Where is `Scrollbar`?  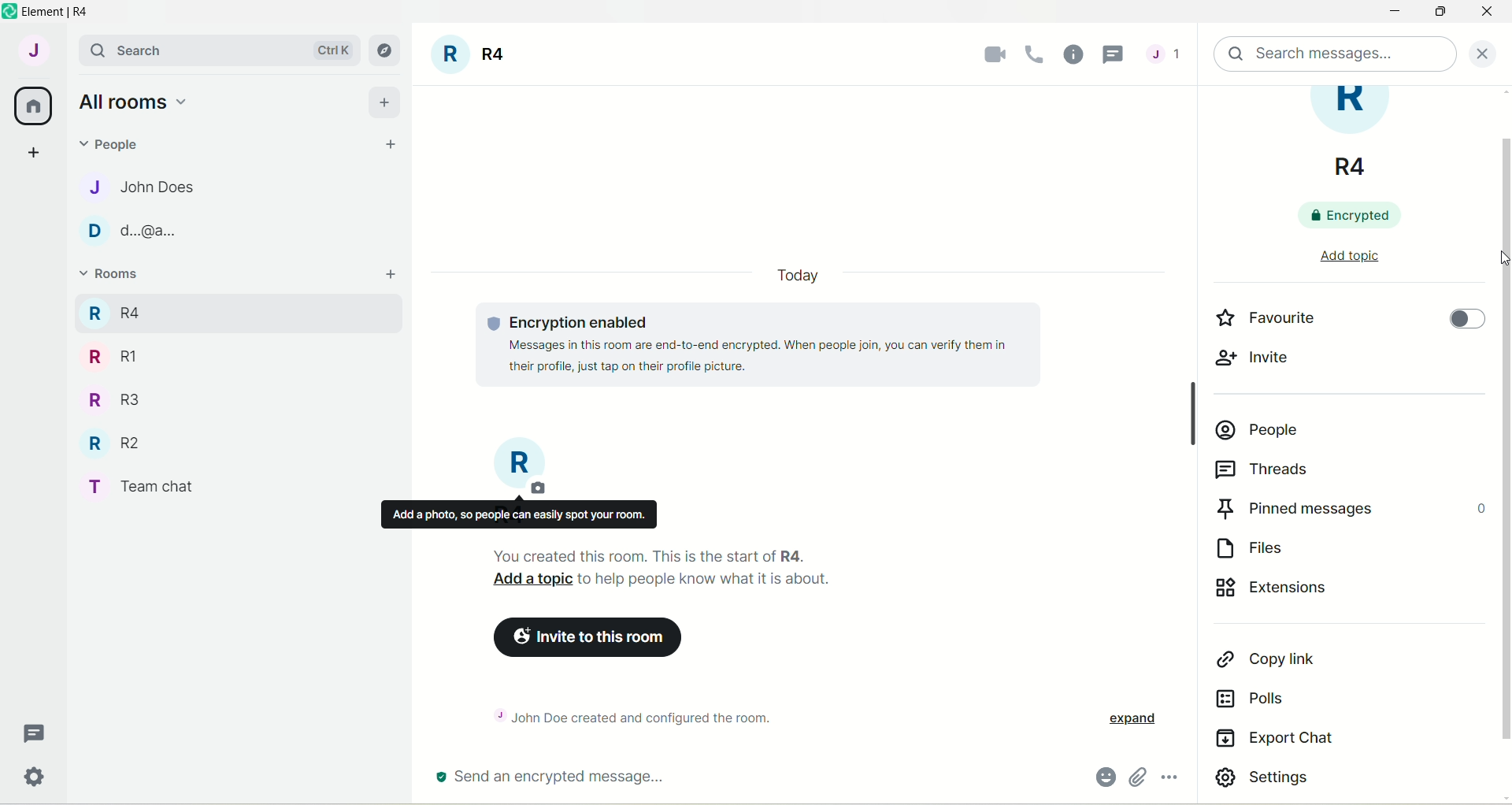 Scrollbar is located at coordinates (1189, 410).